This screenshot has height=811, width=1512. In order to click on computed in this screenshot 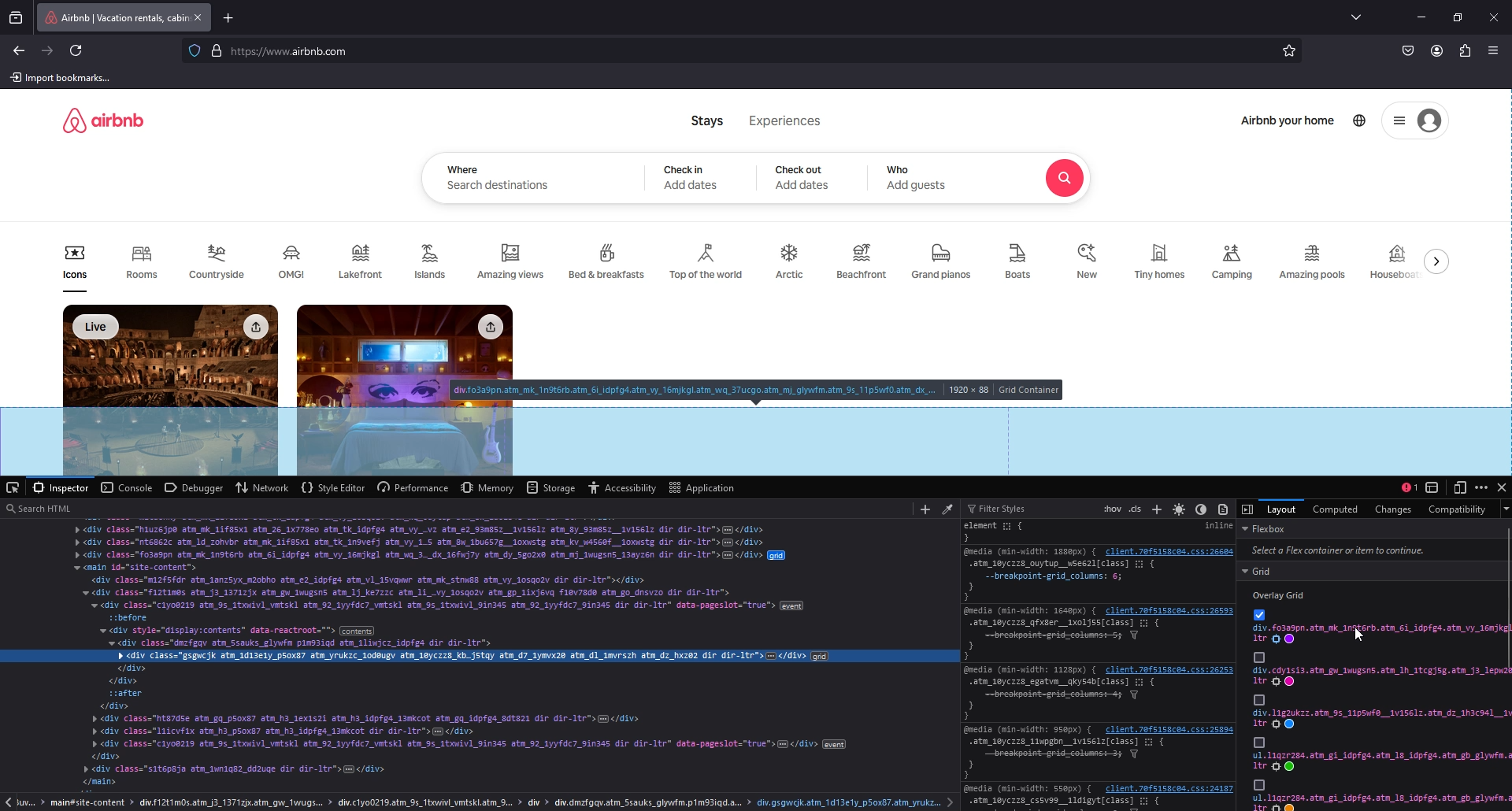, I will do `click(1337, 509)`.